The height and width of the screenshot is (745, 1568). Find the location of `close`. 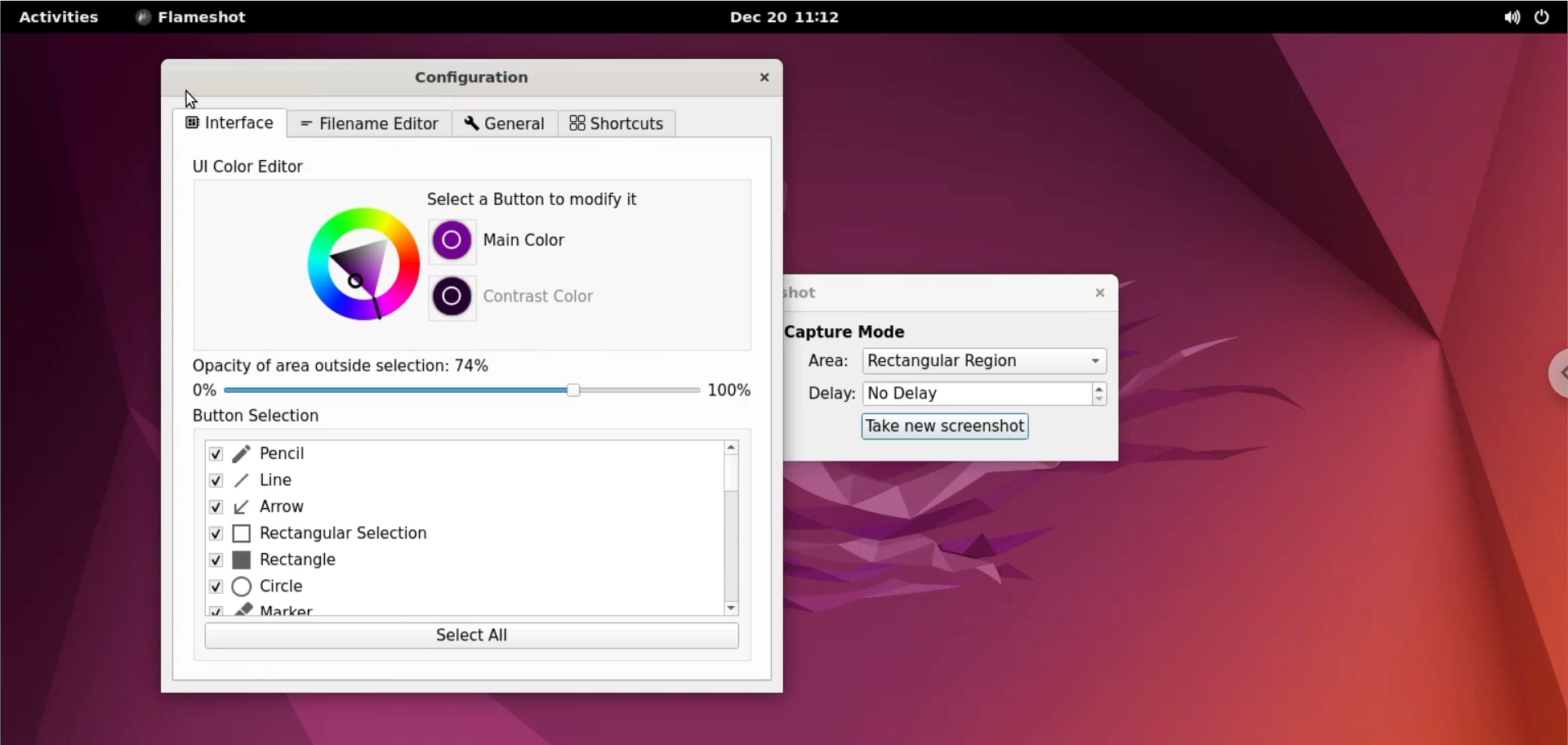

close is located at coordinates (1089, 292).